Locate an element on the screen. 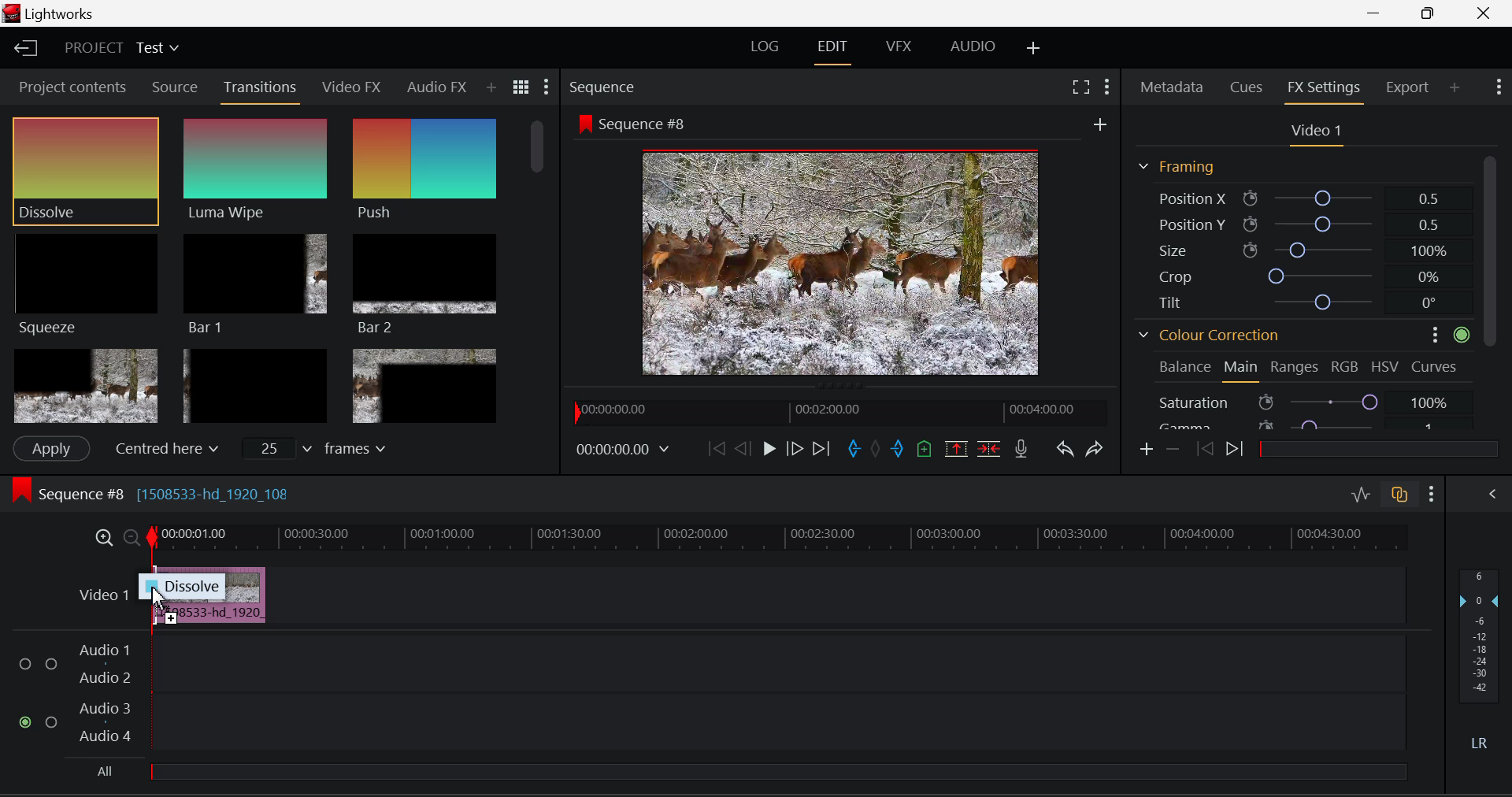 The height and width of the screenshot is (797, 1512). Video Layer is located at coordinates (105, 595).